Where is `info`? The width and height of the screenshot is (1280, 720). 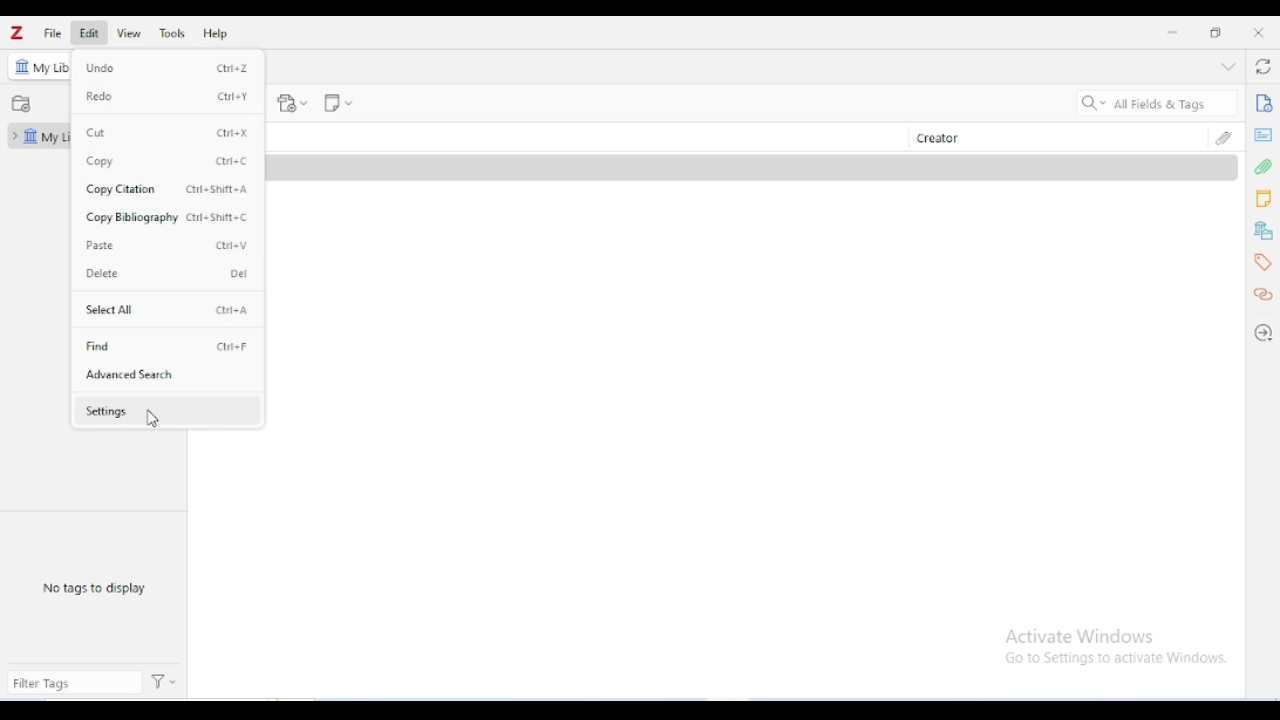
info is located at coordinates (1264, 102).